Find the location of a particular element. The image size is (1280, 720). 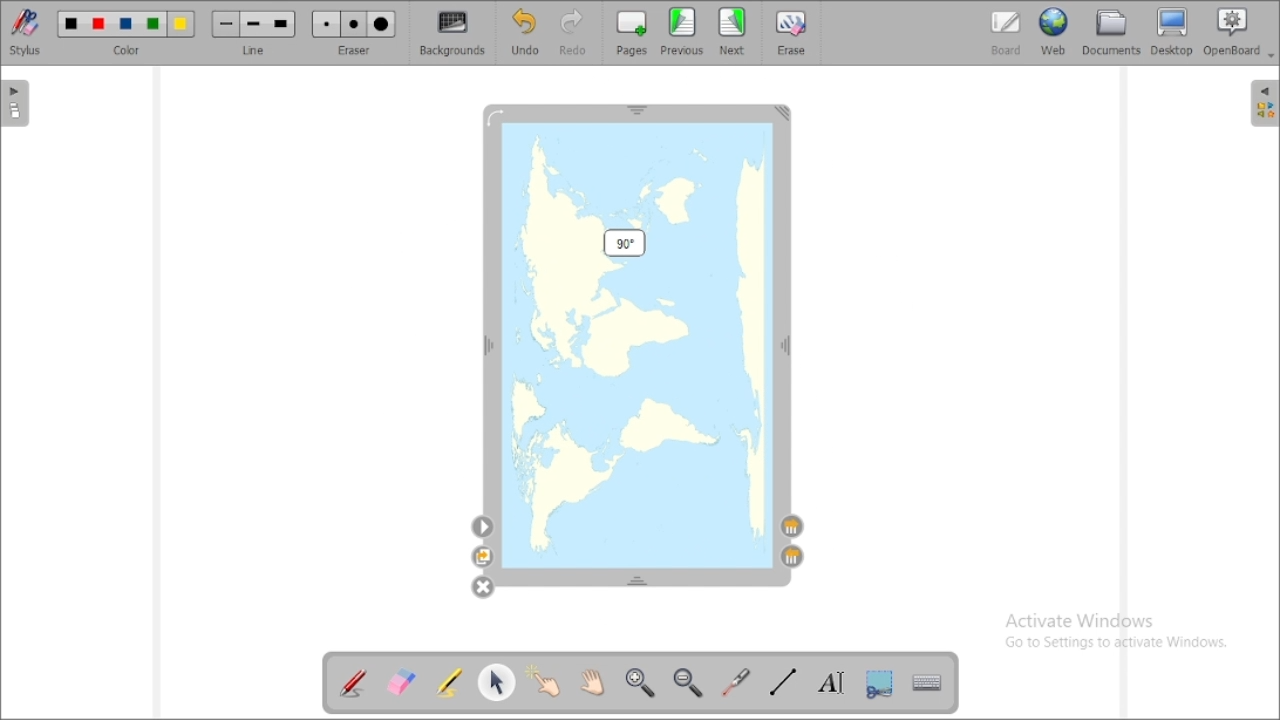

erase annotation is located at coordinates (400, 683).